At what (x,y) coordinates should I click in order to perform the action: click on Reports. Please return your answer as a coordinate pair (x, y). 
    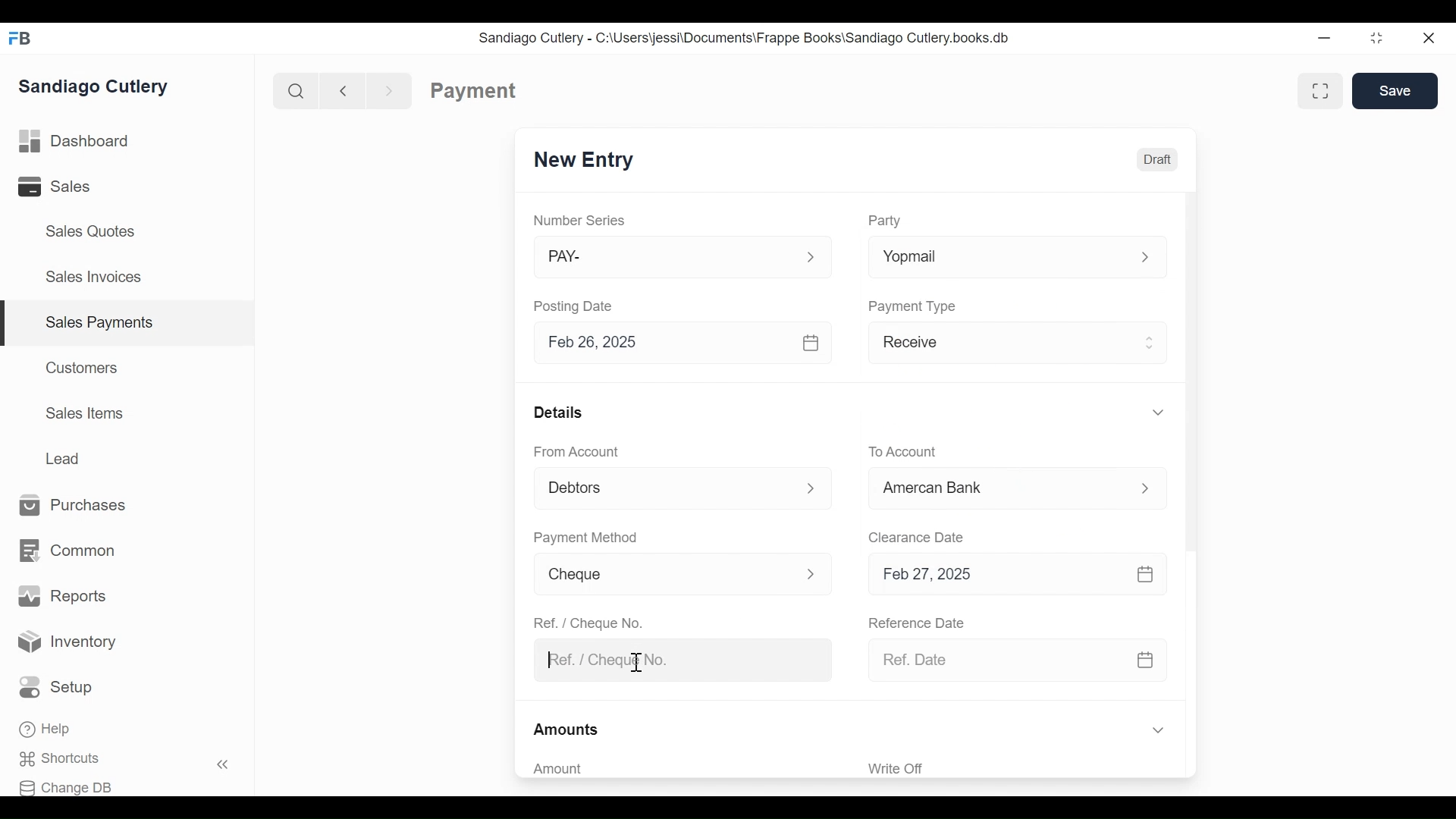
    Looking at the image, I should click on (62, 596).